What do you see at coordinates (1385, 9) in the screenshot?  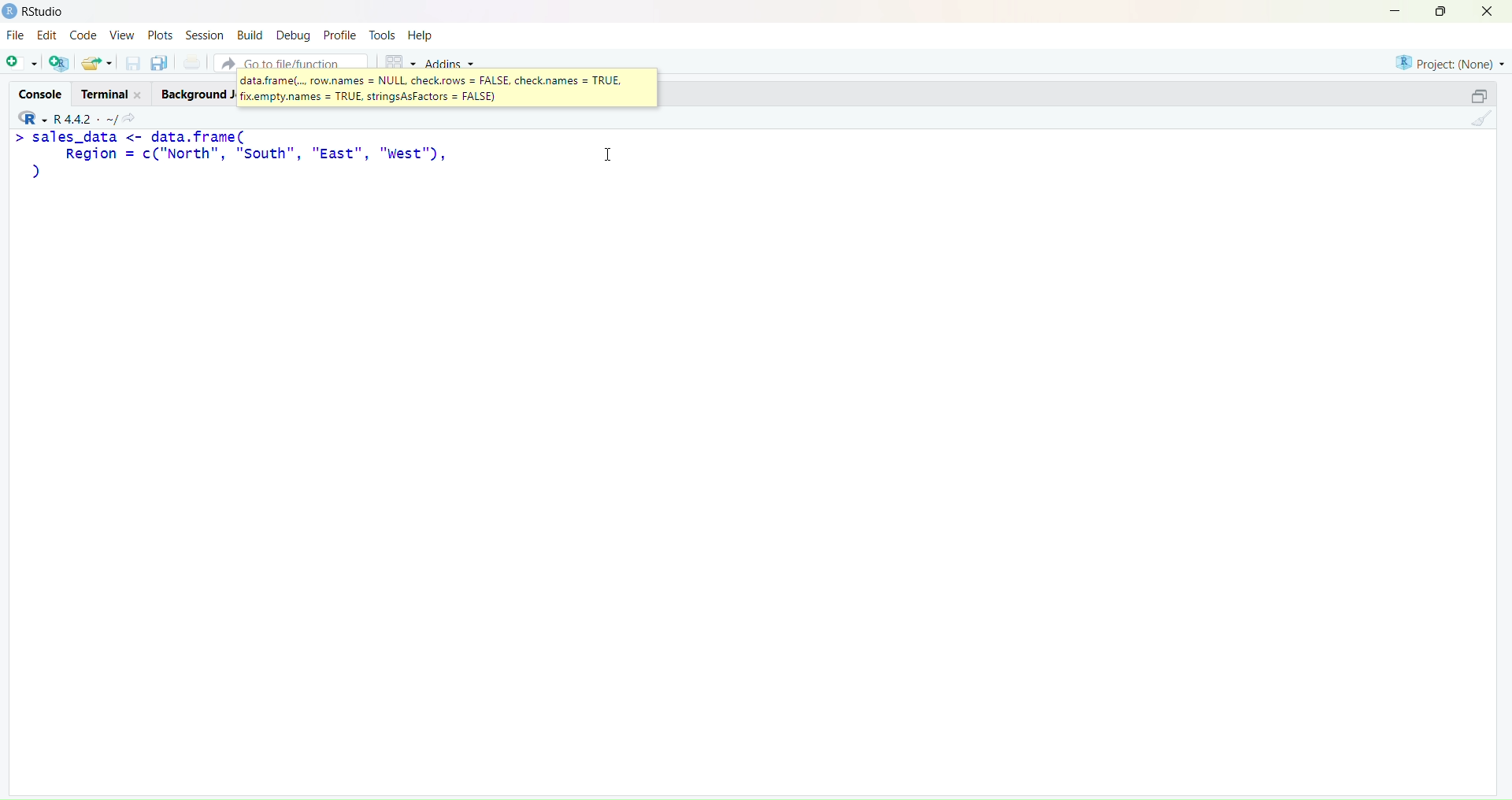 I see `minimise` at bounding box center [1385, 9].